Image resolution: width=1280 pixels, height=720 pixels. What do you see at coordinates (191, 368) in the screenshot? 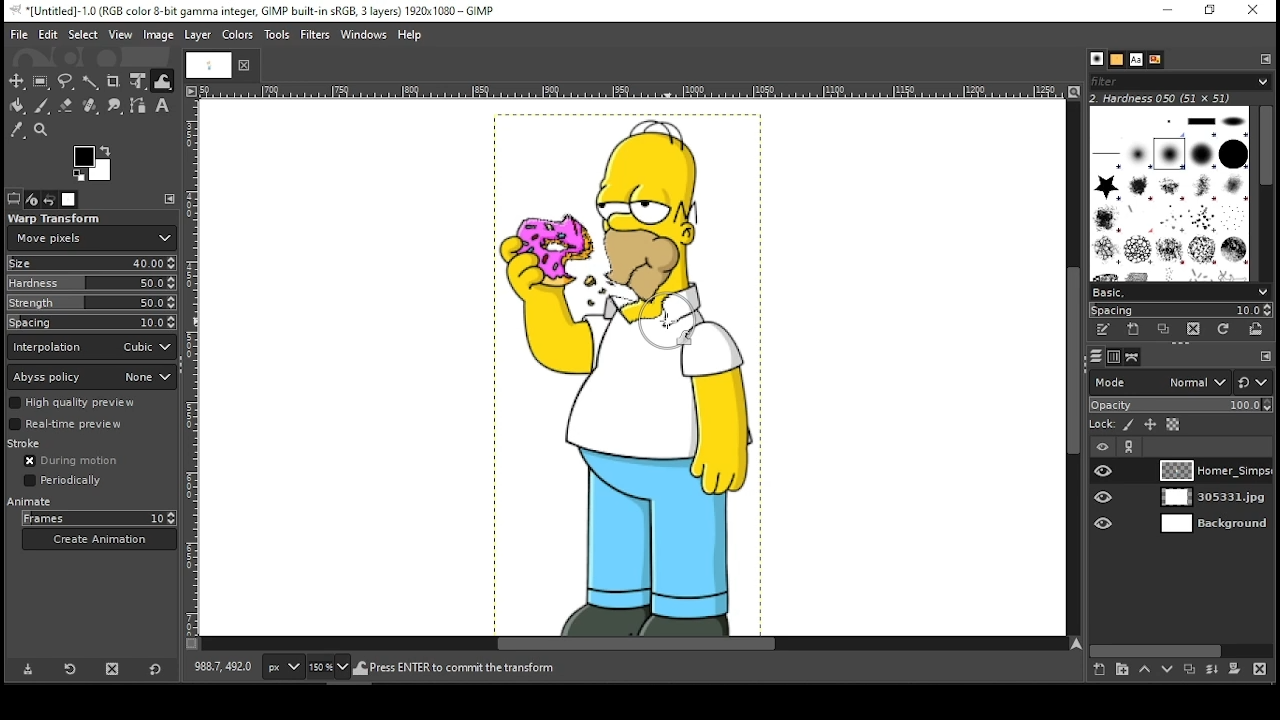
I see `vertical scale` at bounding box center [191, 368].